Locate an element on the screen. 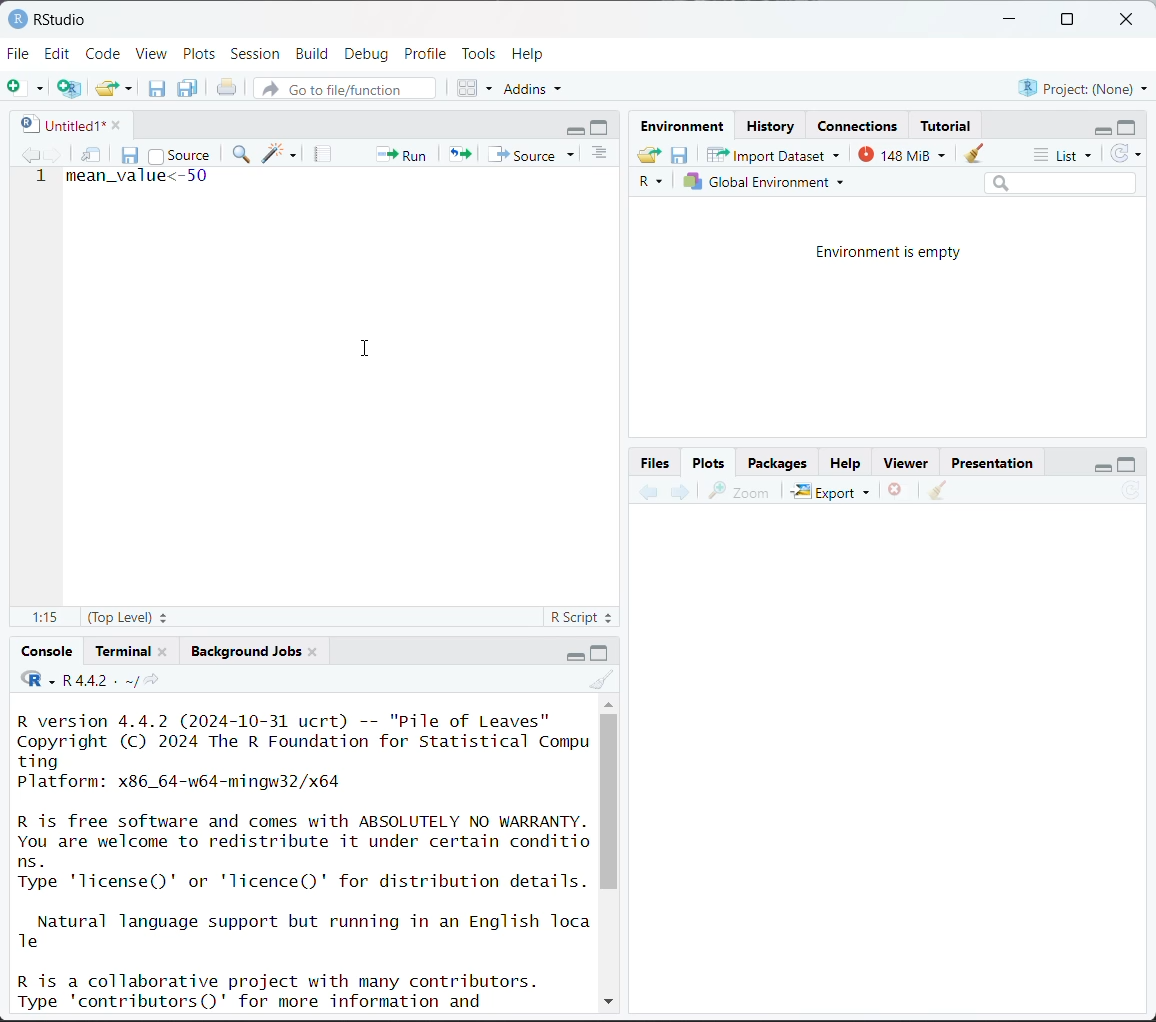  Debug is located at coordinates (366, 54).